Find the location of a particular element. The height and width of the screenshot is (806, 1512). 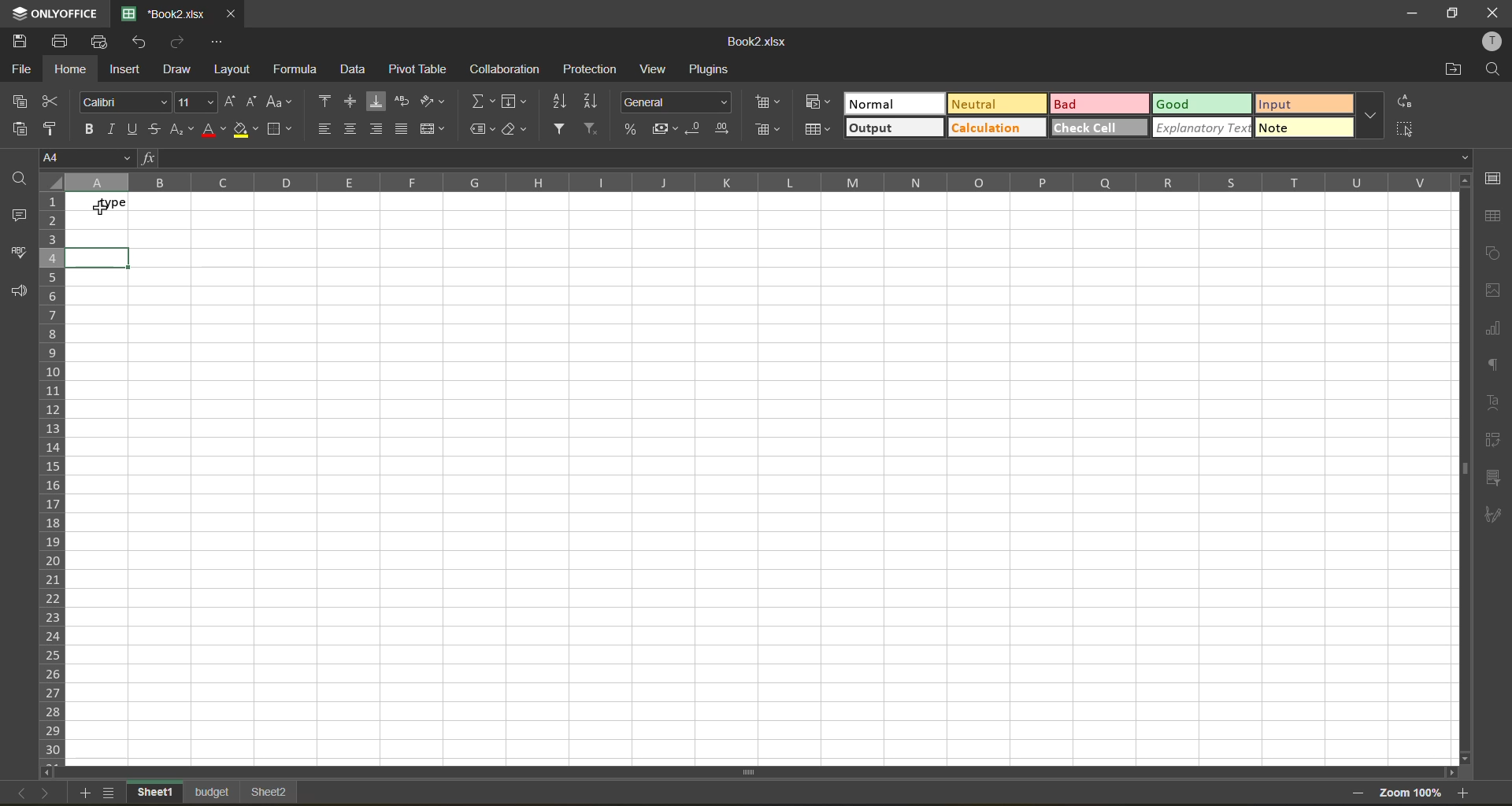

open location is located at coordinates (1454, 69).